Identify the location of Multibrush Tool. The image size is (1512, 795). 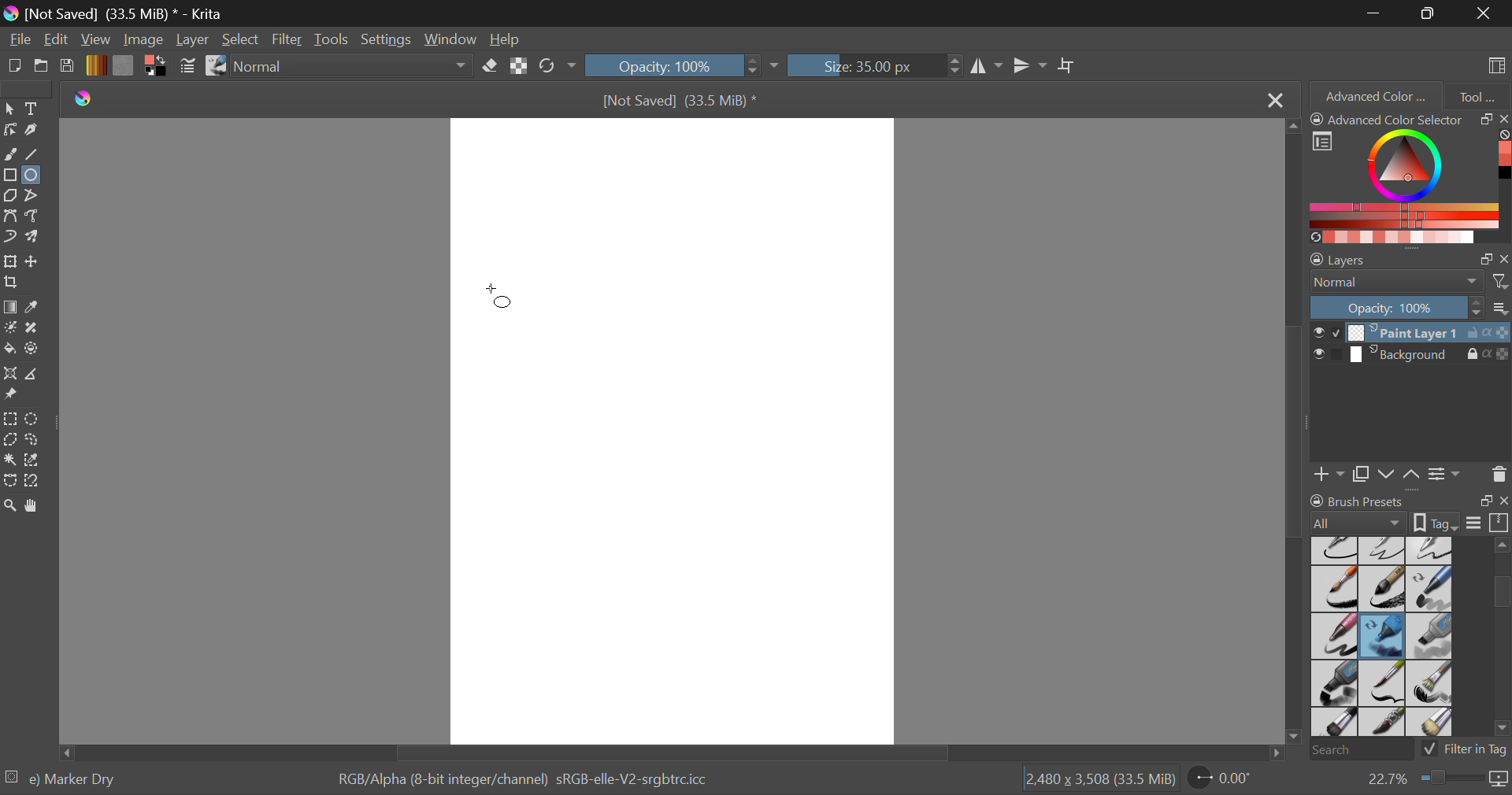
(37, 238).